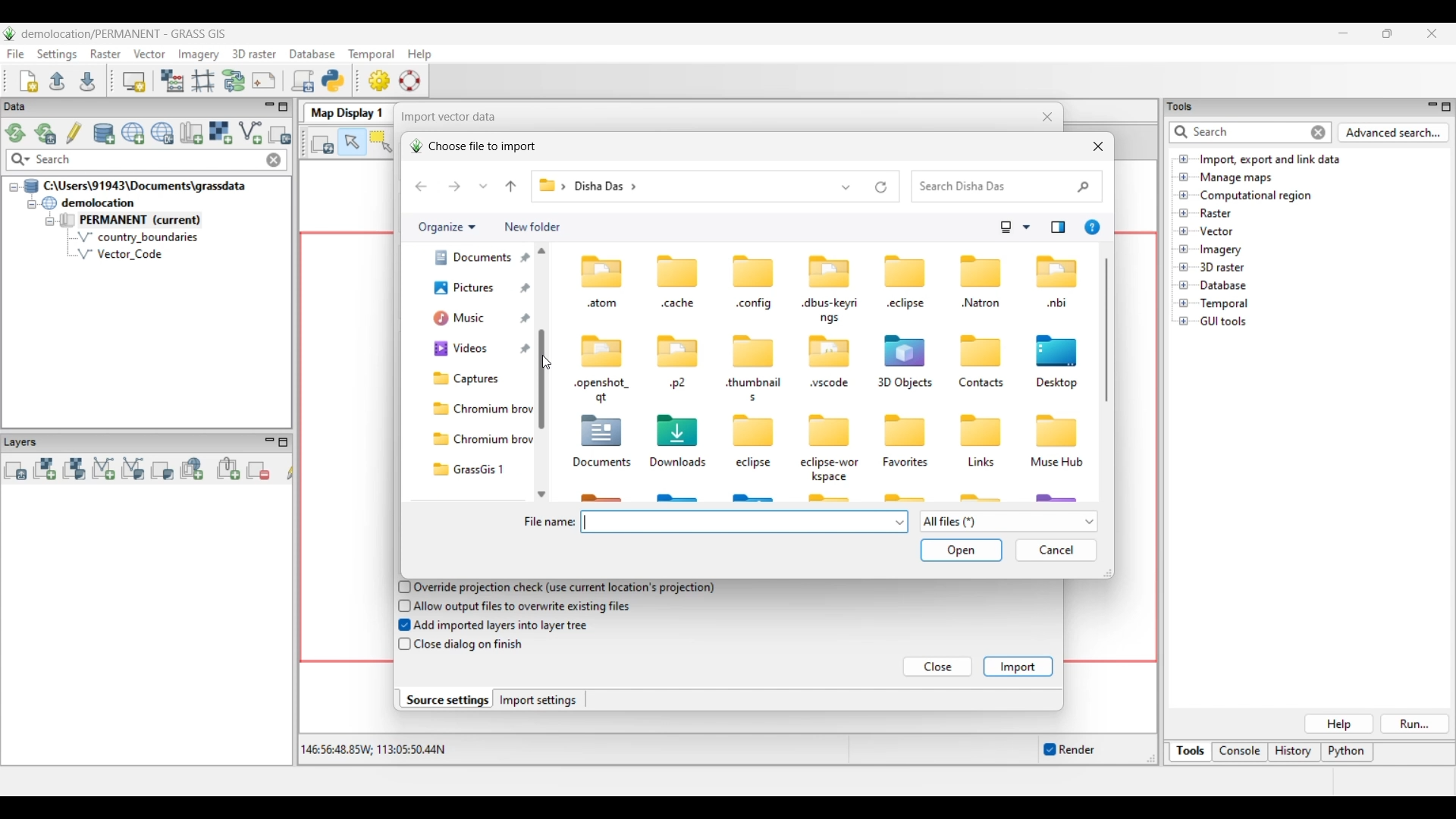 The width and height of the screenshot is (1456, 819). I want to click on GrassGis 1 folder, so click(479, 469).